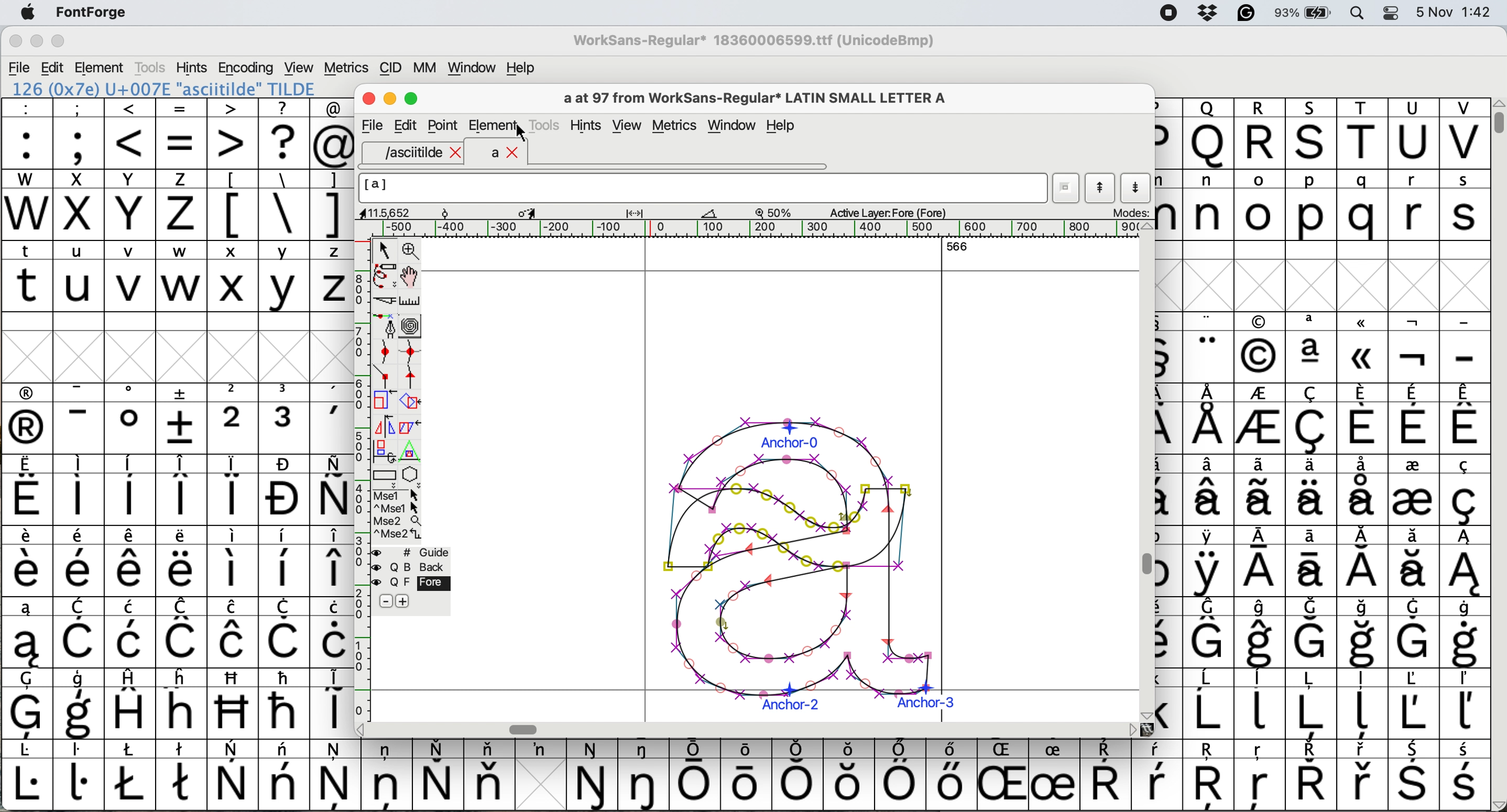 Image resolution: width=1507 pixels, height=812 pixels. What do you see at coordinates (1496, 117) in the screenshot?
I see `vertical scroll bar` at bounding box center [1496, 117].